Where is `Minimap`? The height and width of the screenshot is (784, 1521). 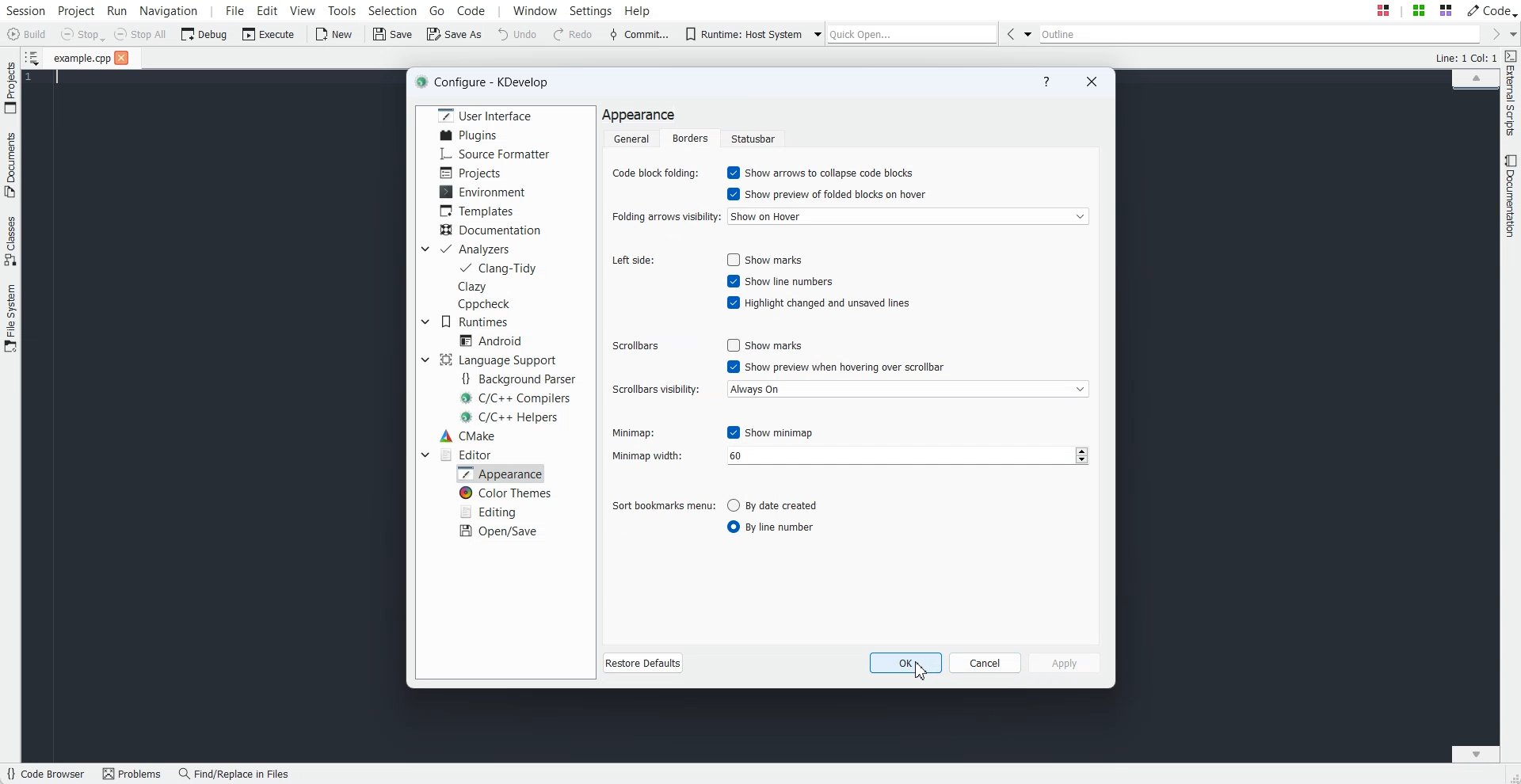 Minimap is located at coordinates (633, 433).